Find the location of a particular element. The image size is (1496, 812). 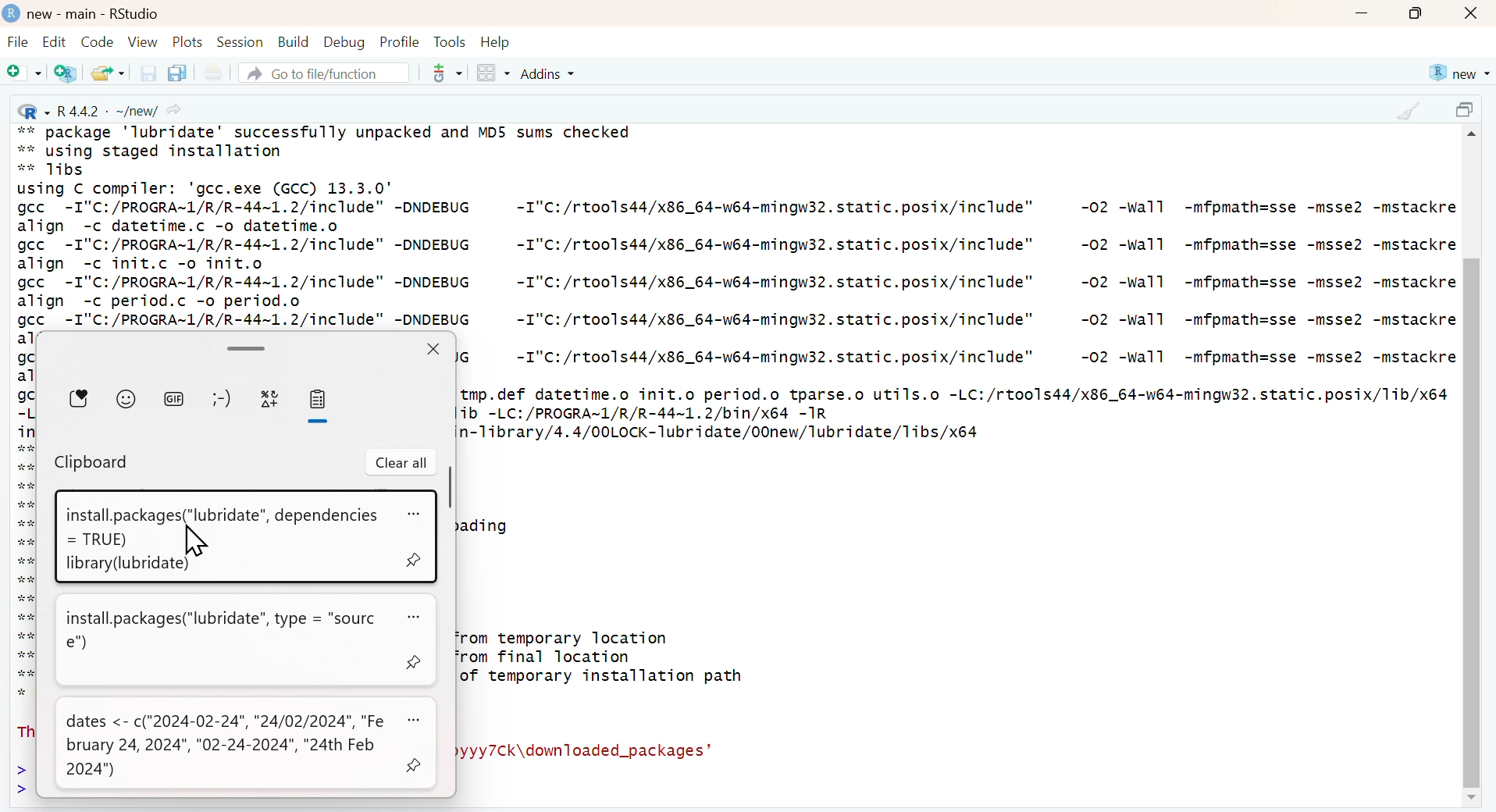

special characters is located at coordinates (270, 400).